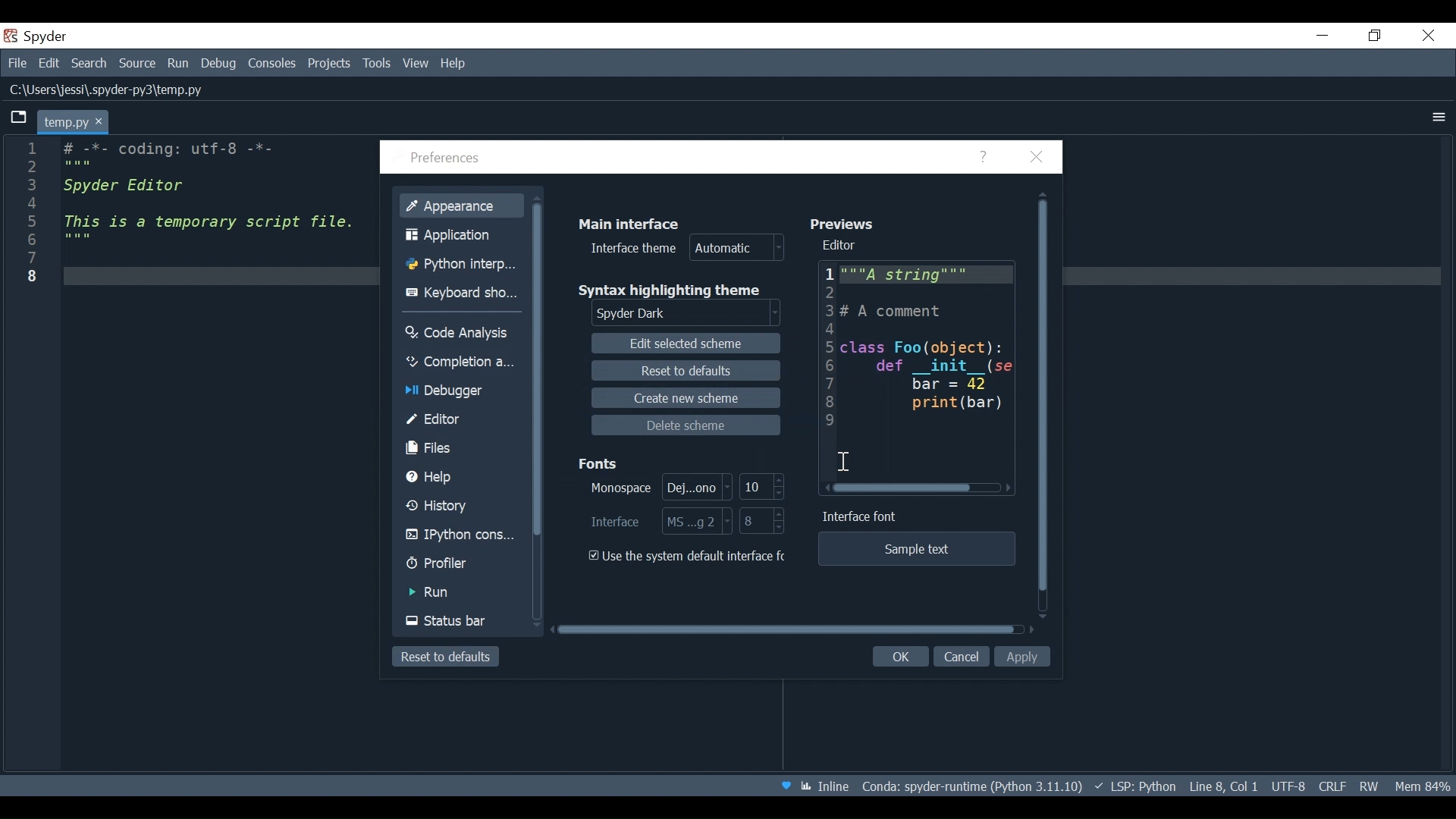 Image resolution: width=1456 pixels, height=819 pixels. I want to click on Code Analysis, so click(461, 331).